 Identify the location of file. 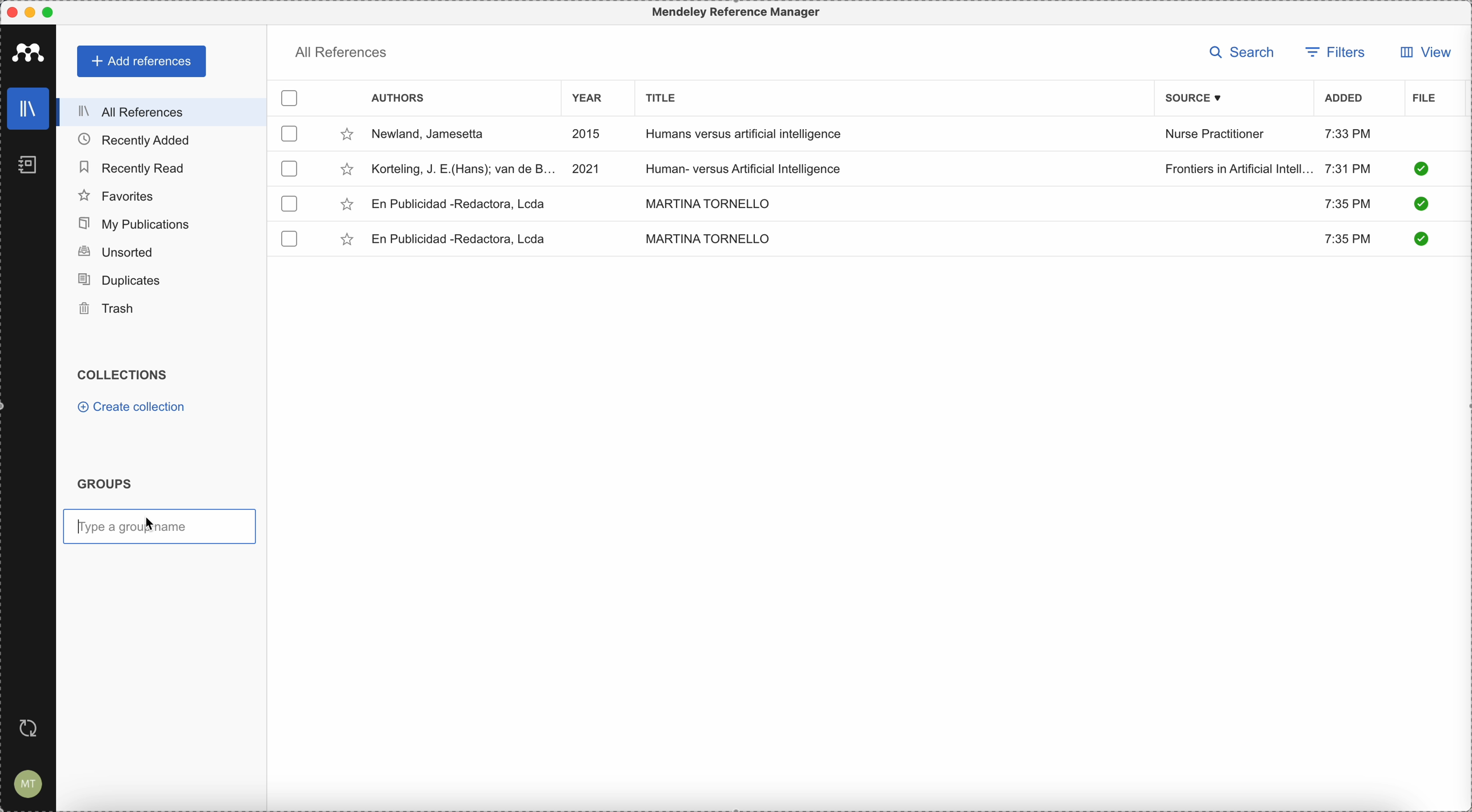
(1424, 99).